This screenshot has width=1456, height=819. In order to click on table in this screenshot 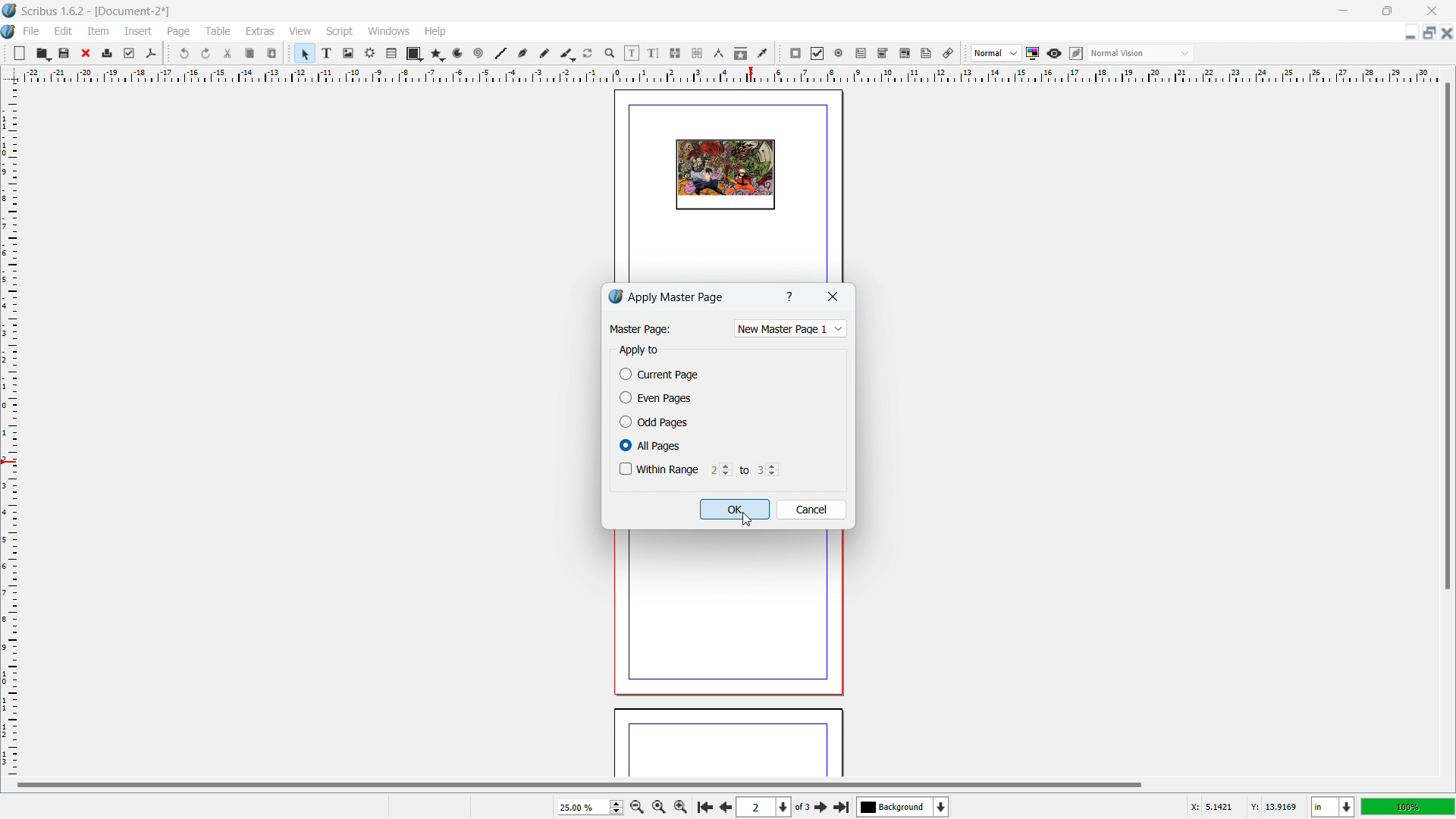, I will do `click(392, 54)`.